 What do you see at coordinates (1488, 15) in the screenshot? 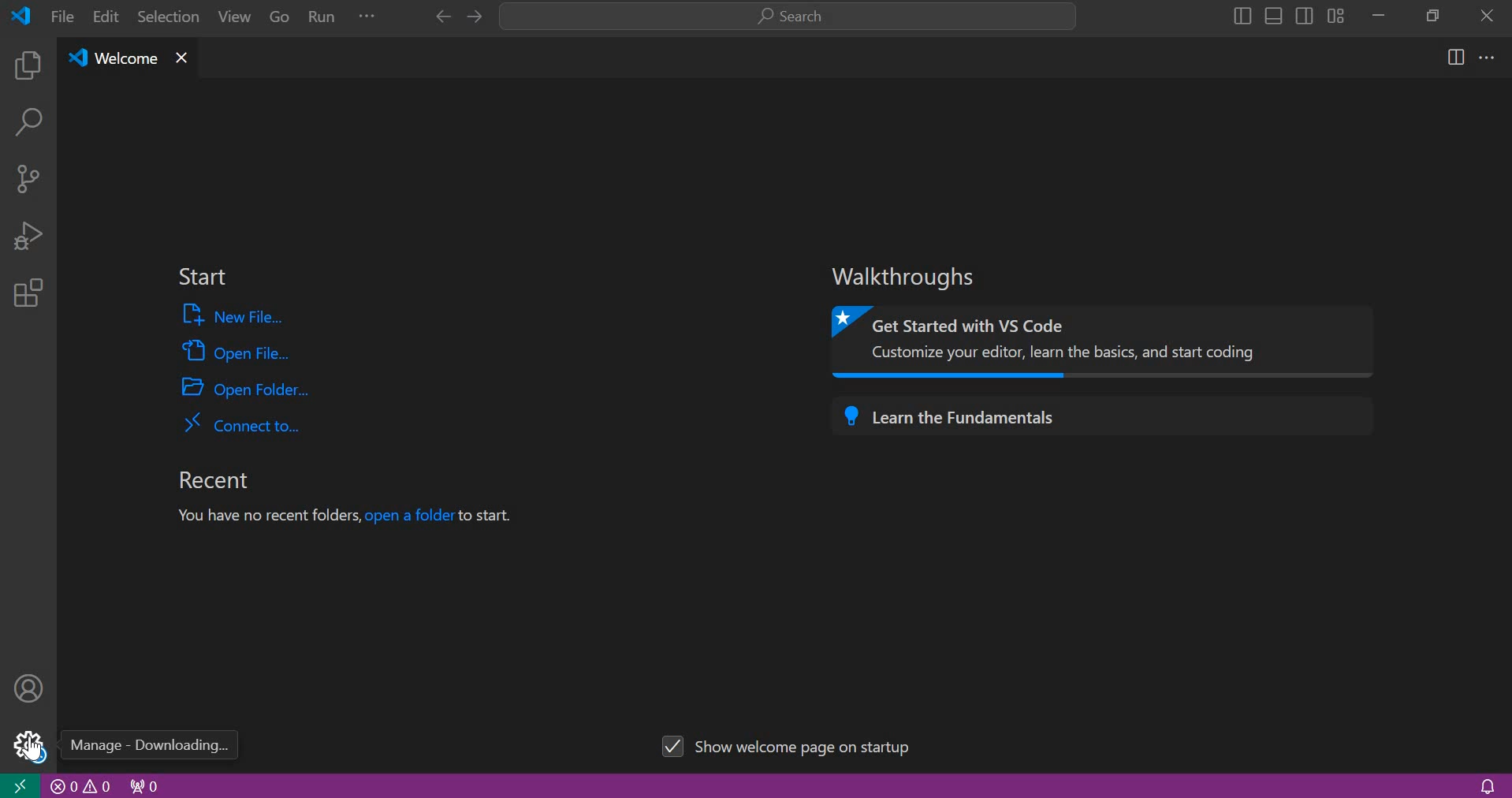
I see `close` at bounding box center [1488, 15].